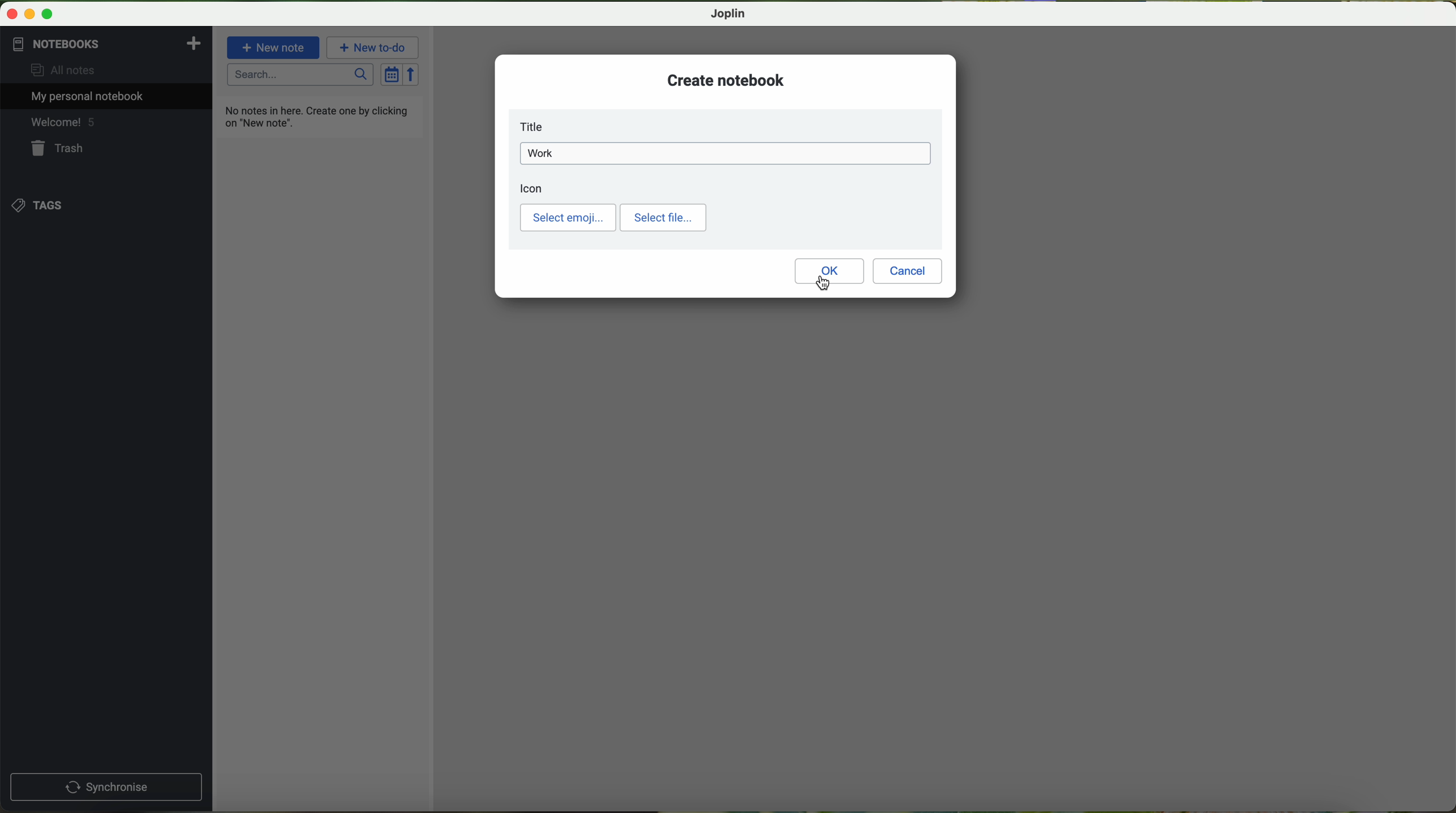 The image size is (1456, 813). What do you see at coordinates (31, 15) in the screenshot?
I see `minimize` at bounding box center [31, 15].